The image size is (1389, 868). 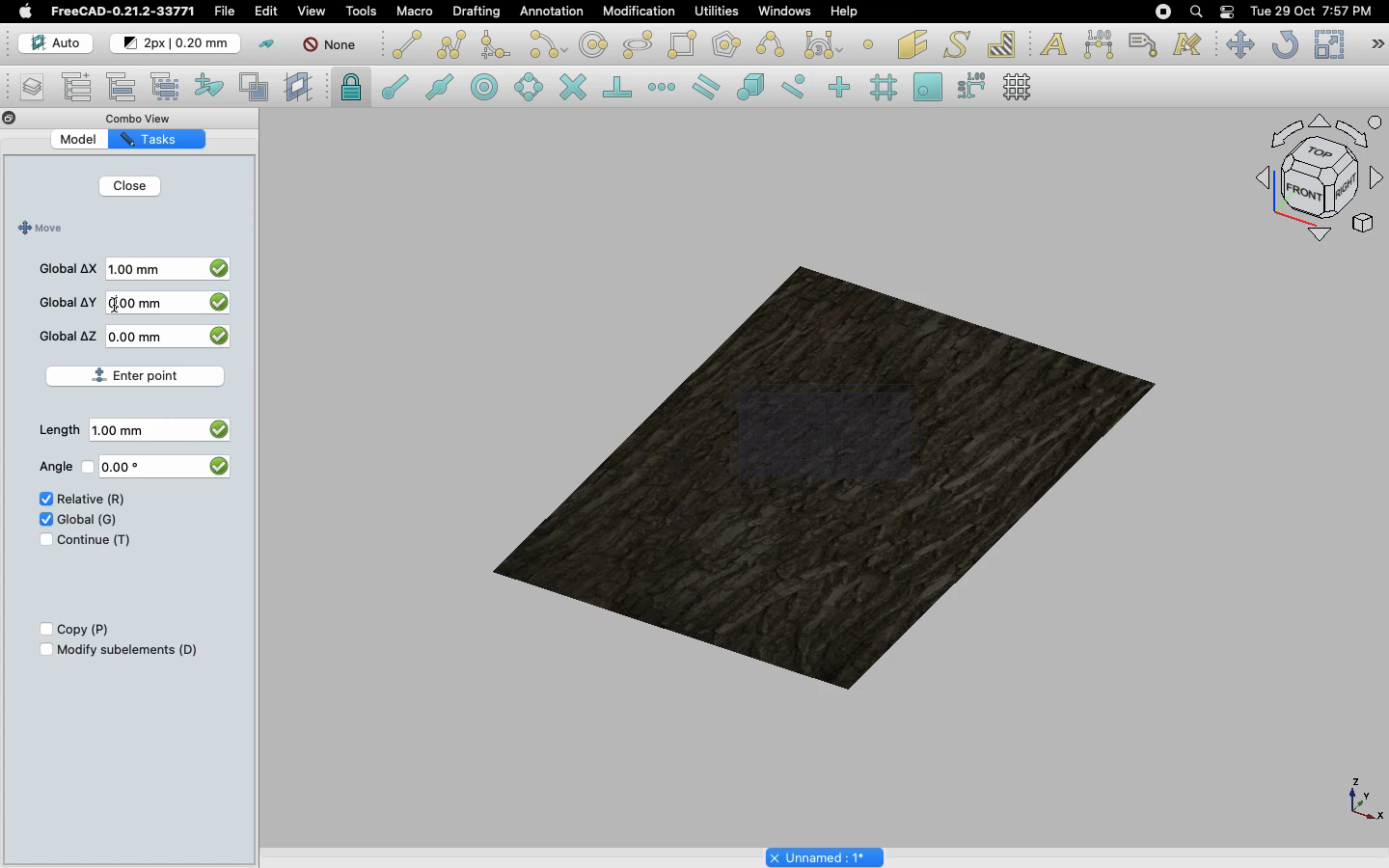 I want to click on Bezier tools, so click(x=826, y=44).